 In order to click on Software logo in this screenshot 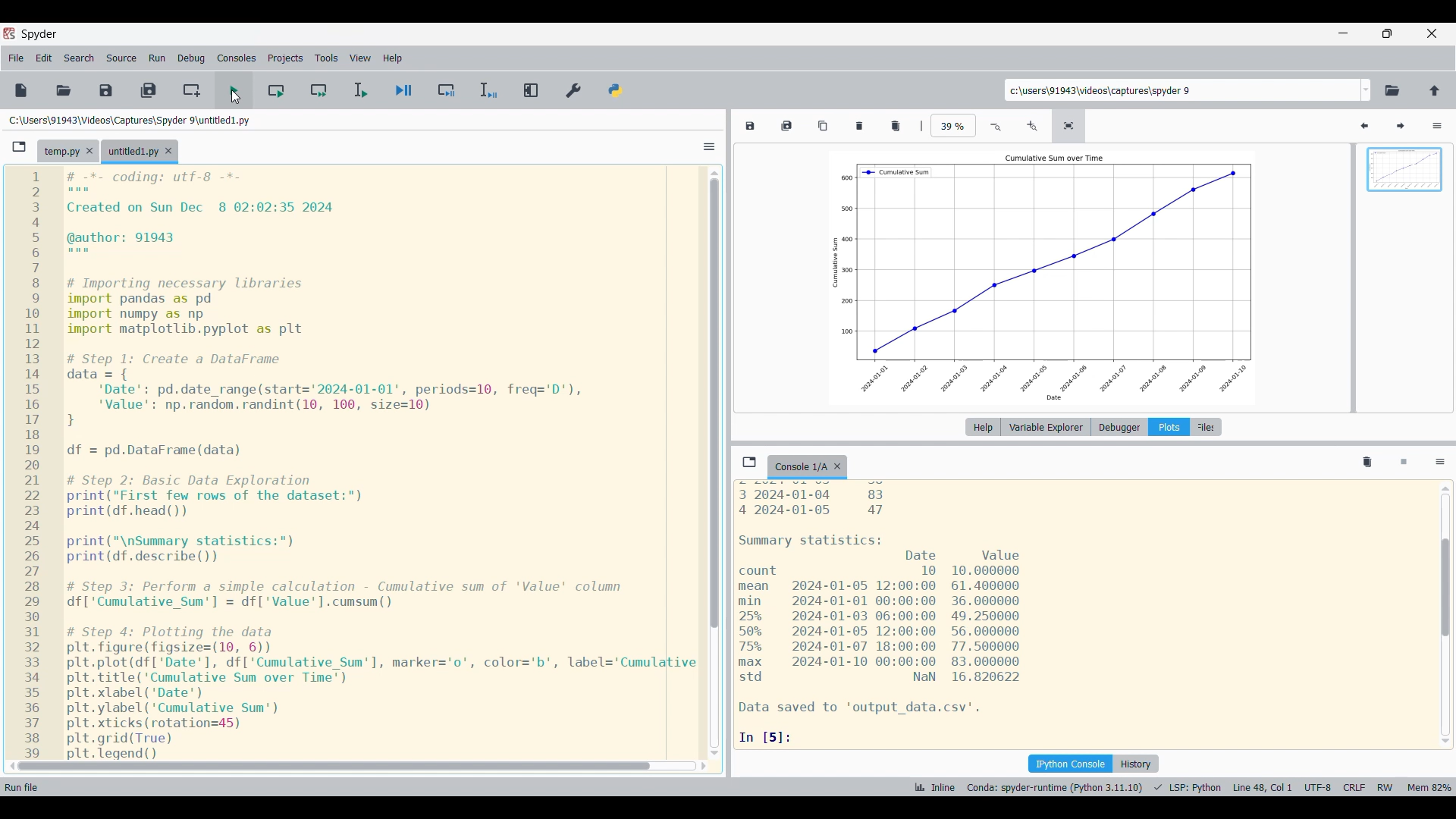, I will do `click(9, 33)`.